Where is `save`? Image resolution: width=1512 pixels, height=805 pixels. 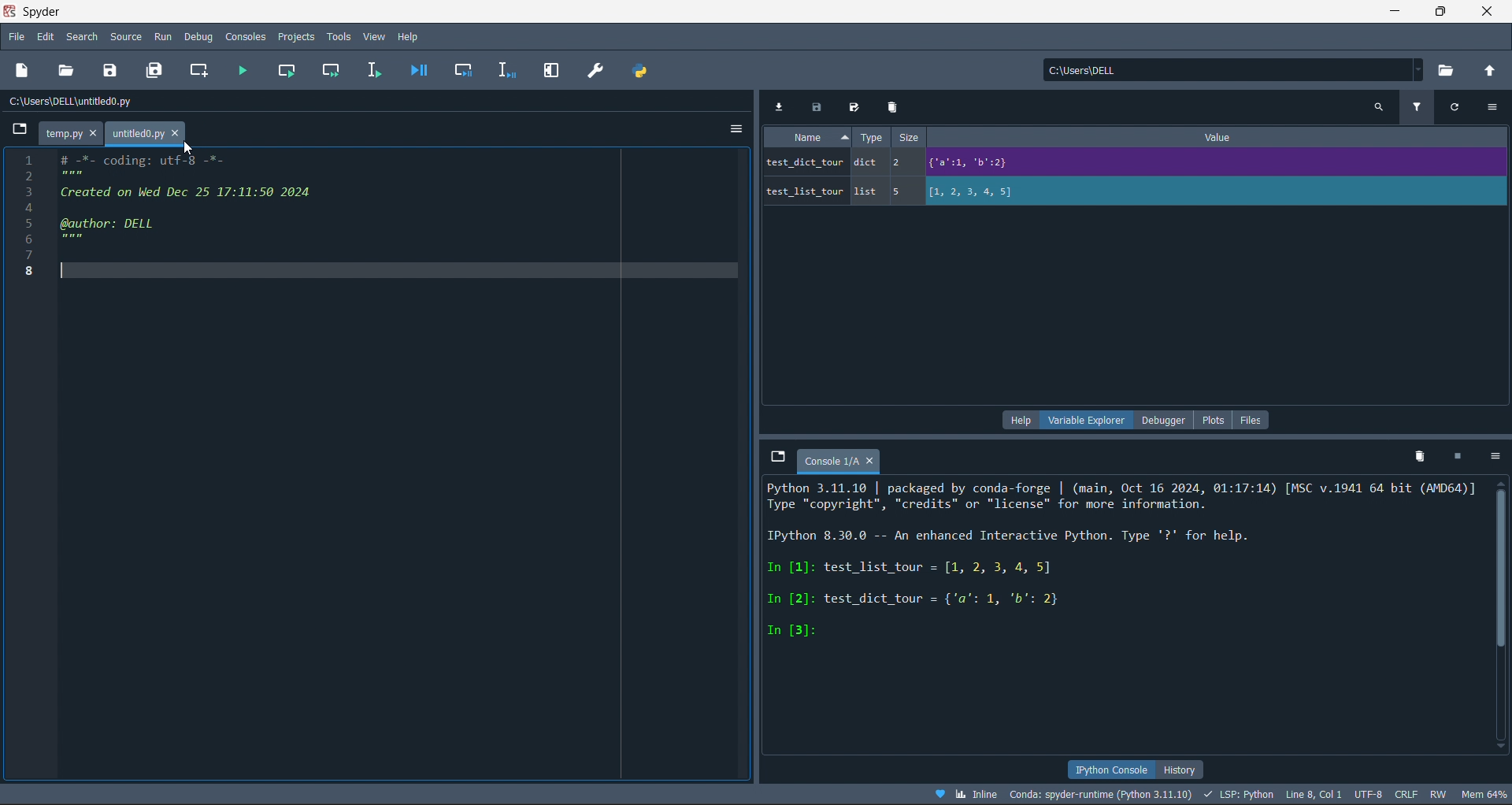
save is located at coordinates (113, 69).